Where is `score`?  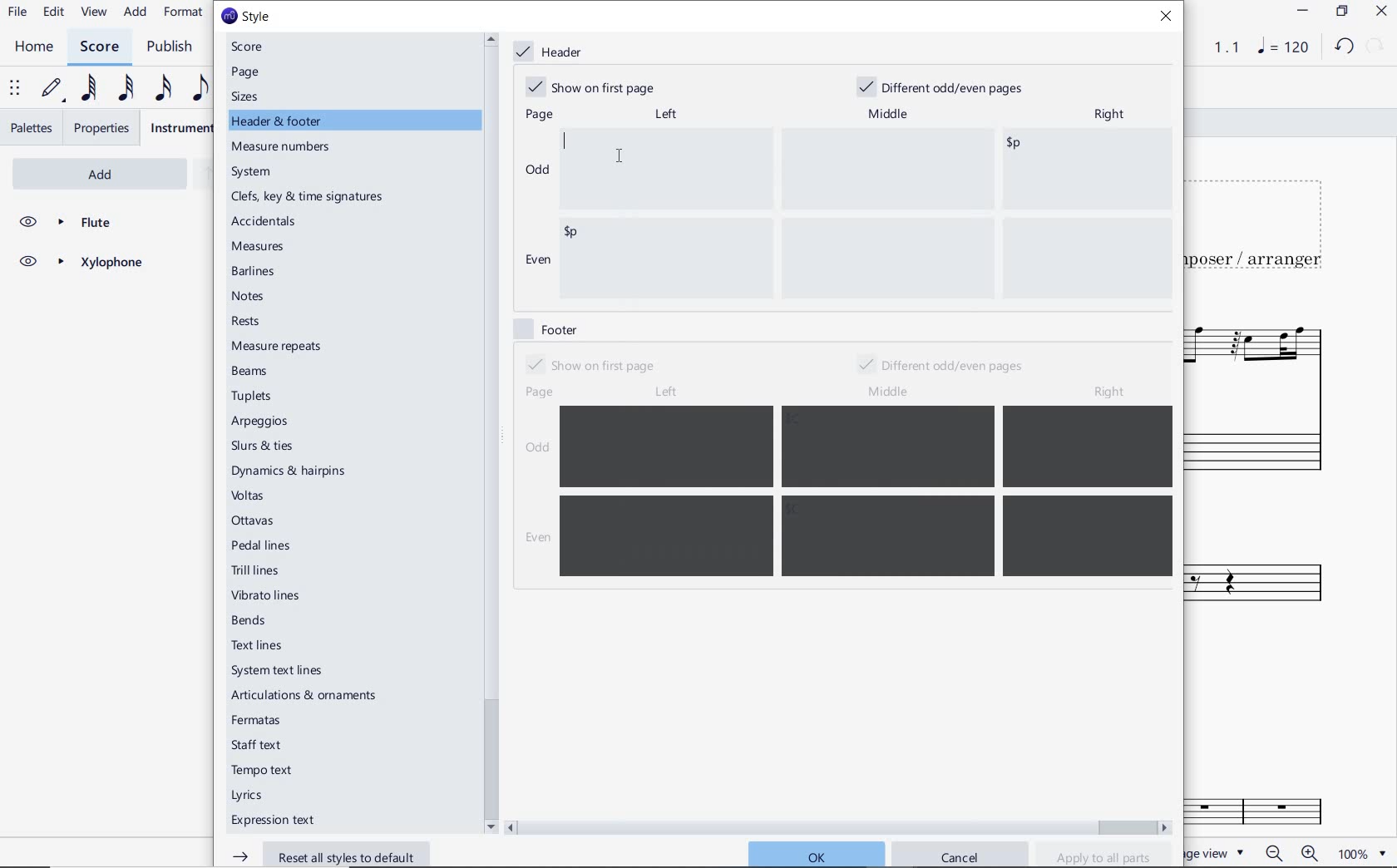
score is located at coordinates (254, 47).